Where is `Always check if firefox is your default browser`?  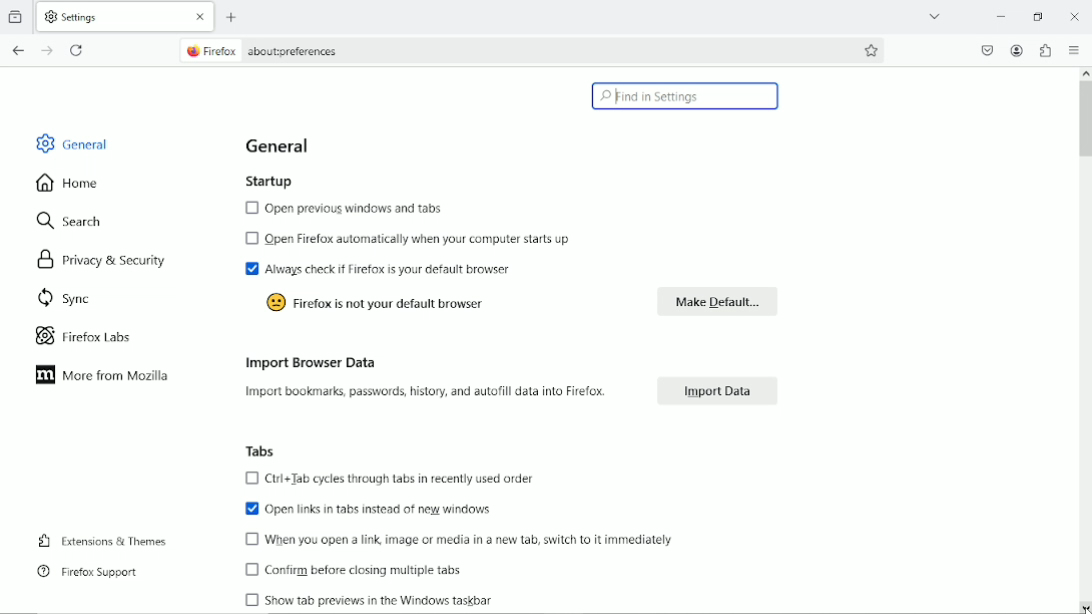 Always check if firefox is your default browser is located at coordinates (383, 270).